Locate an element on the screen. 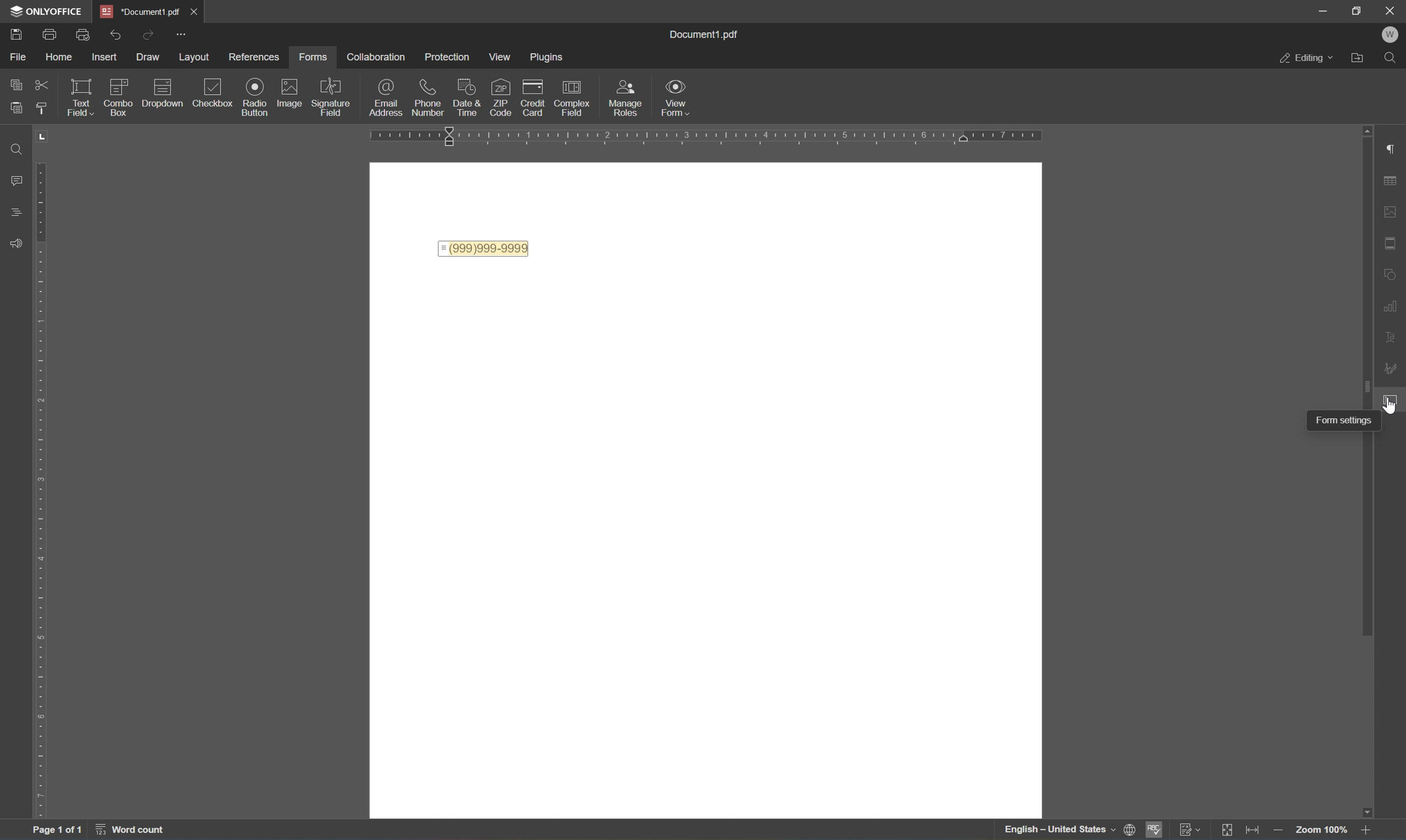  zoom 100% is located at coordinates (1323, 832).